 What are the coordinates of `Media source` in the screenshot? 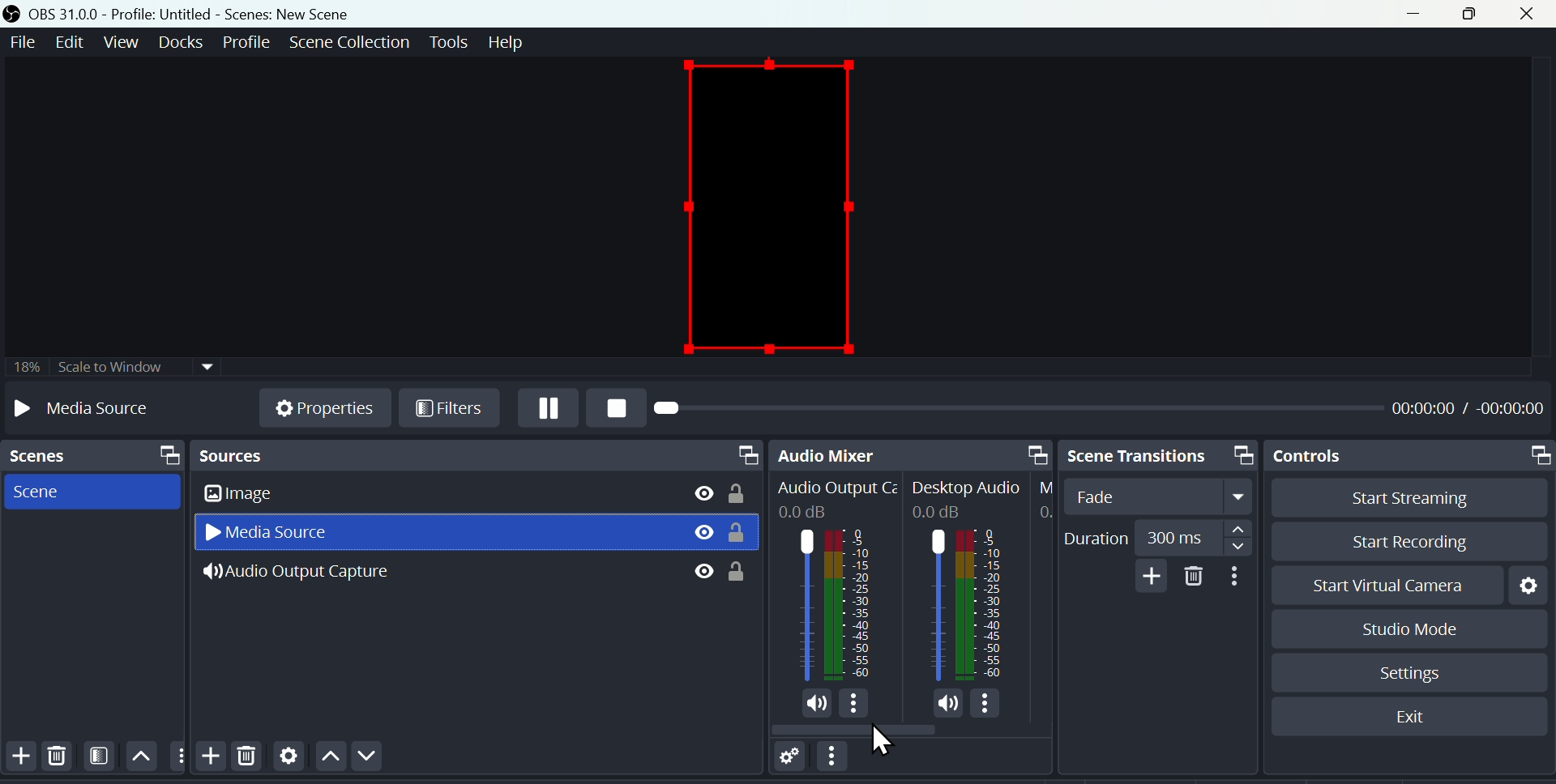 It's located at (281, 533).